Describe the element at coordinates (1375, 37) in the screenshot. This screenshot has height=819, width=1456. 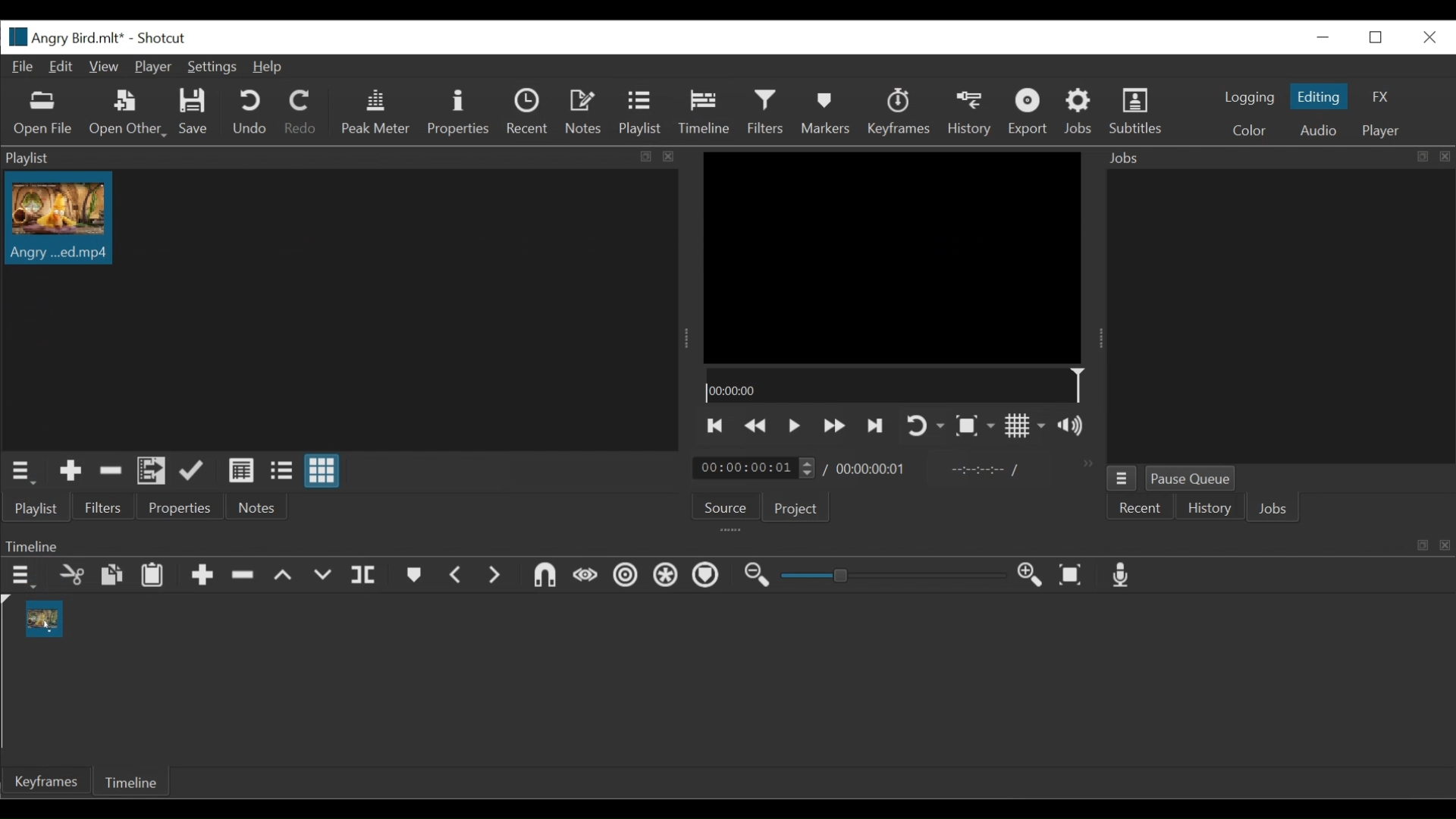
I see `Restore` at that location.